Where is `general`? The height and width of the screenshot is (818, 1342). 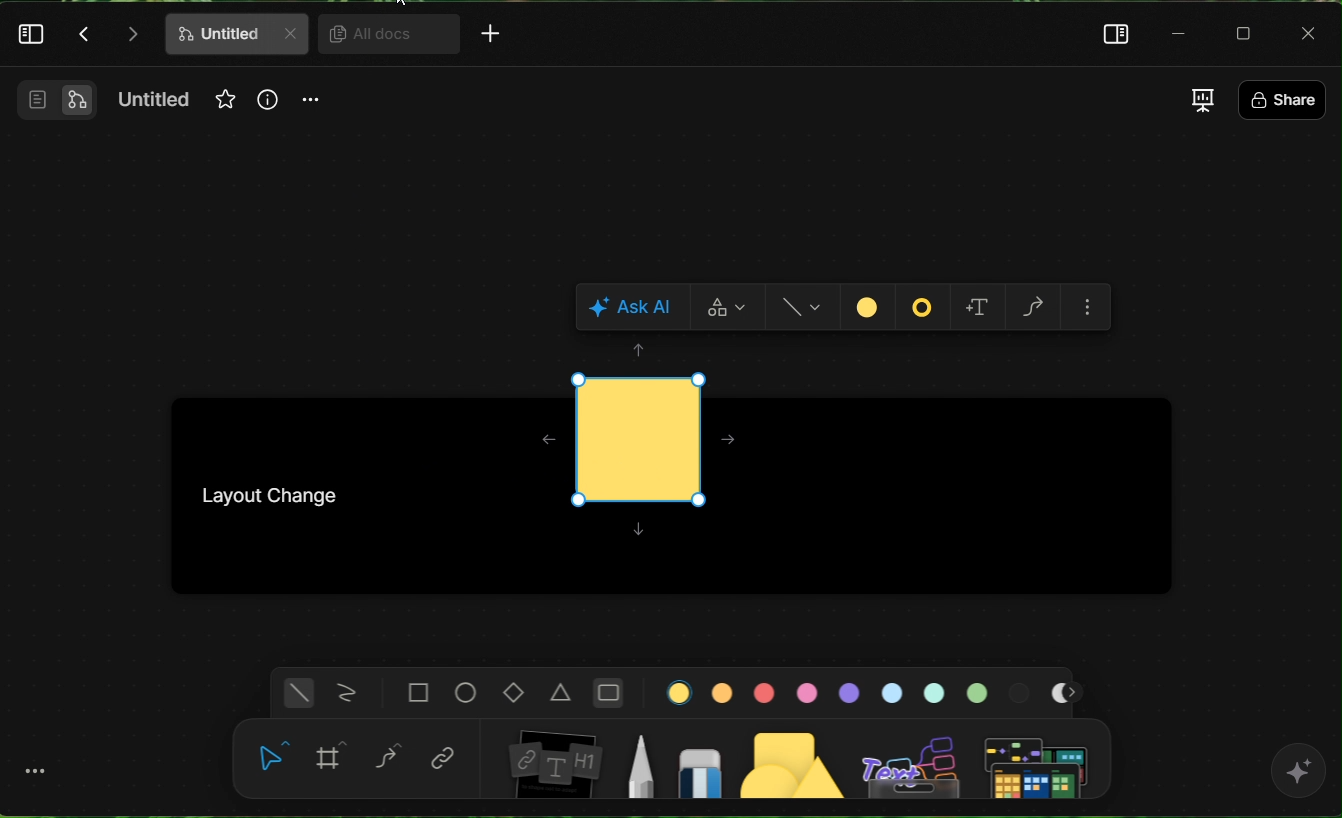 general is located at coordinates (296, 694).